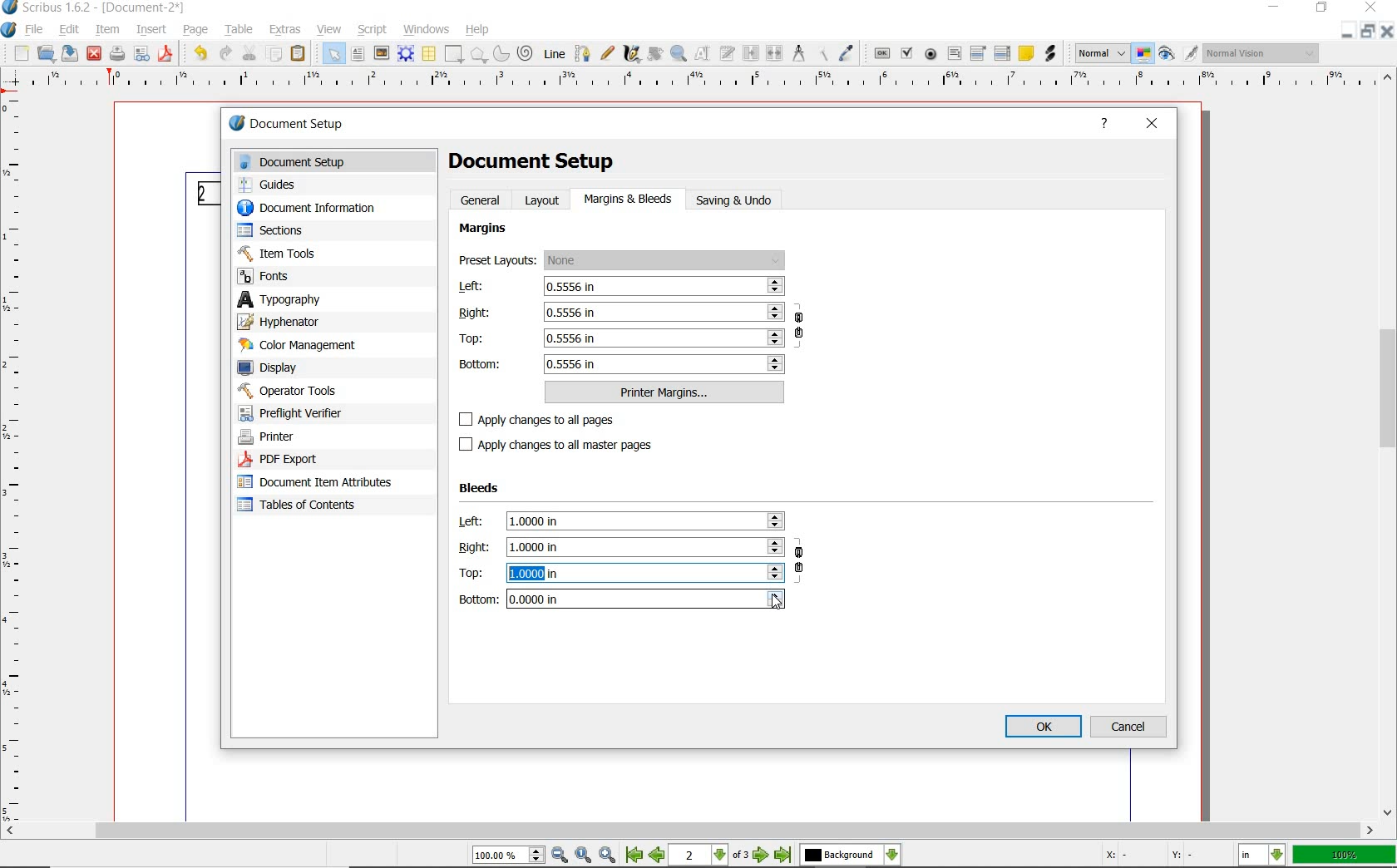  What do you see at coordinates (1345, 856) in the screenshot?
I see `zoom factor 100%` at bounding box center [1345, 856].